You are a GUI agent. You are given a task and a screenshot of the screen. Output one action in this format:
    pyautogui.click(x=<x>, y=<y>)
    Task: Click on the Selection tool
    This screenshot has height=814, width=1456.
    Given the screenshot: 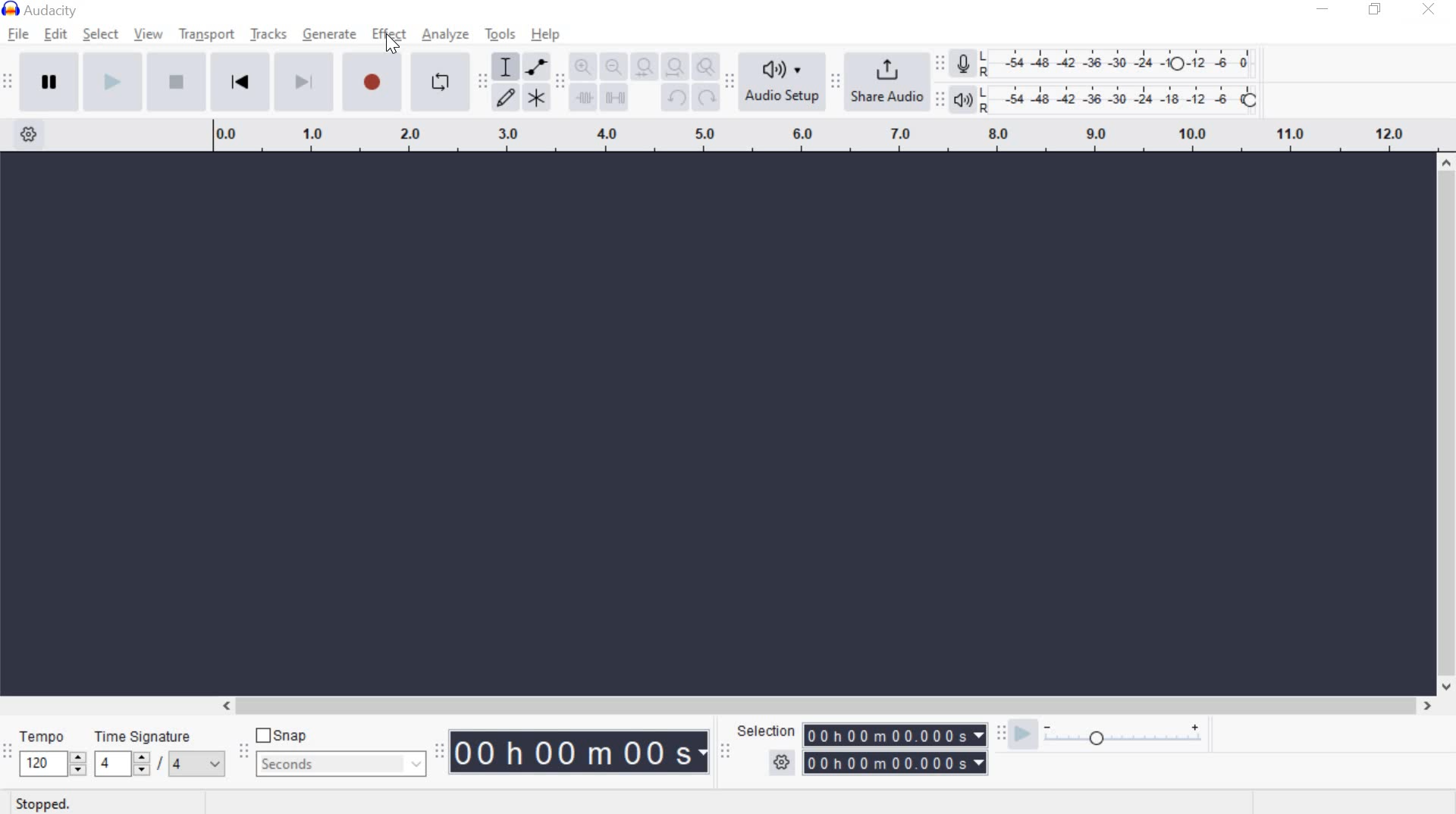 What is the action you would take?
    pyautogui.click(x=508, y=66)
    